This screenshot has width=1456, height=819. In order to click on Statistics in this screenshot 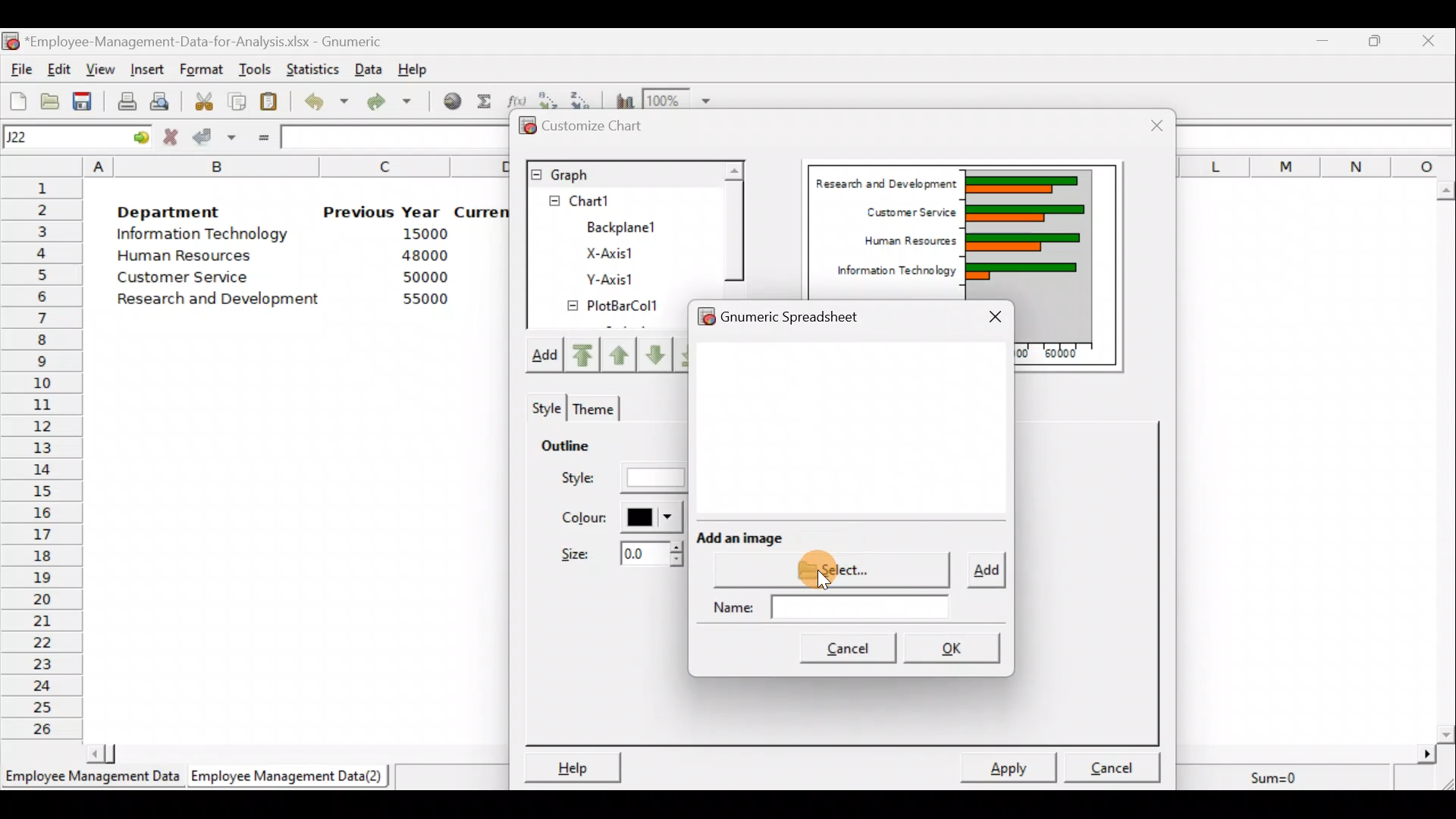, I will do `click(314, 65)`.